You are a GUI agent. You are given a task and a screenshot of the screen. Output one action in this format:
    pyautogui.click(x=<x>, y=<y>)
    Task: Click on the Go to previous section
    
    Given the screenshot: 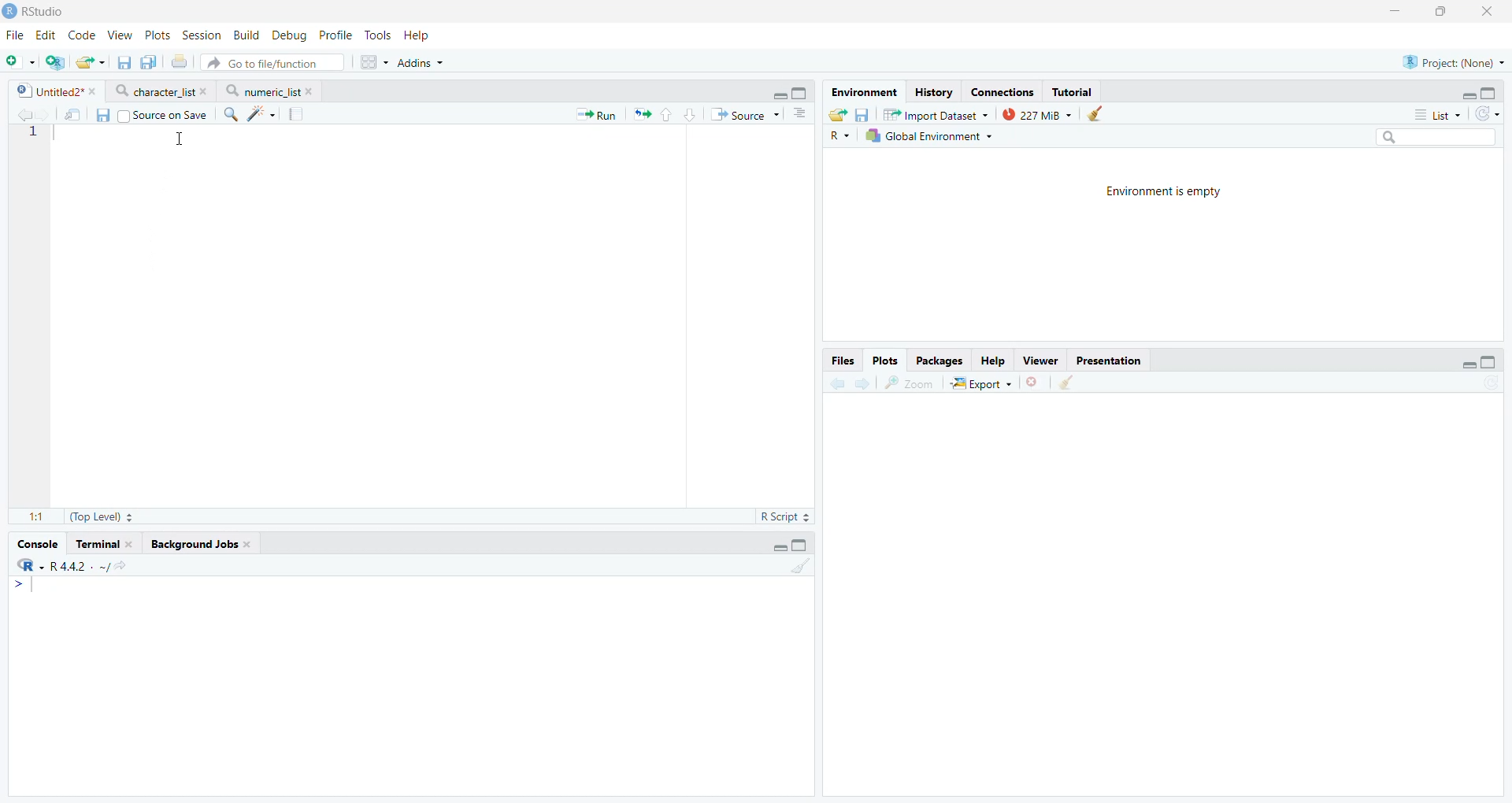 What is the action you would take?
    pyautogui.click(x=667, y=114)
    